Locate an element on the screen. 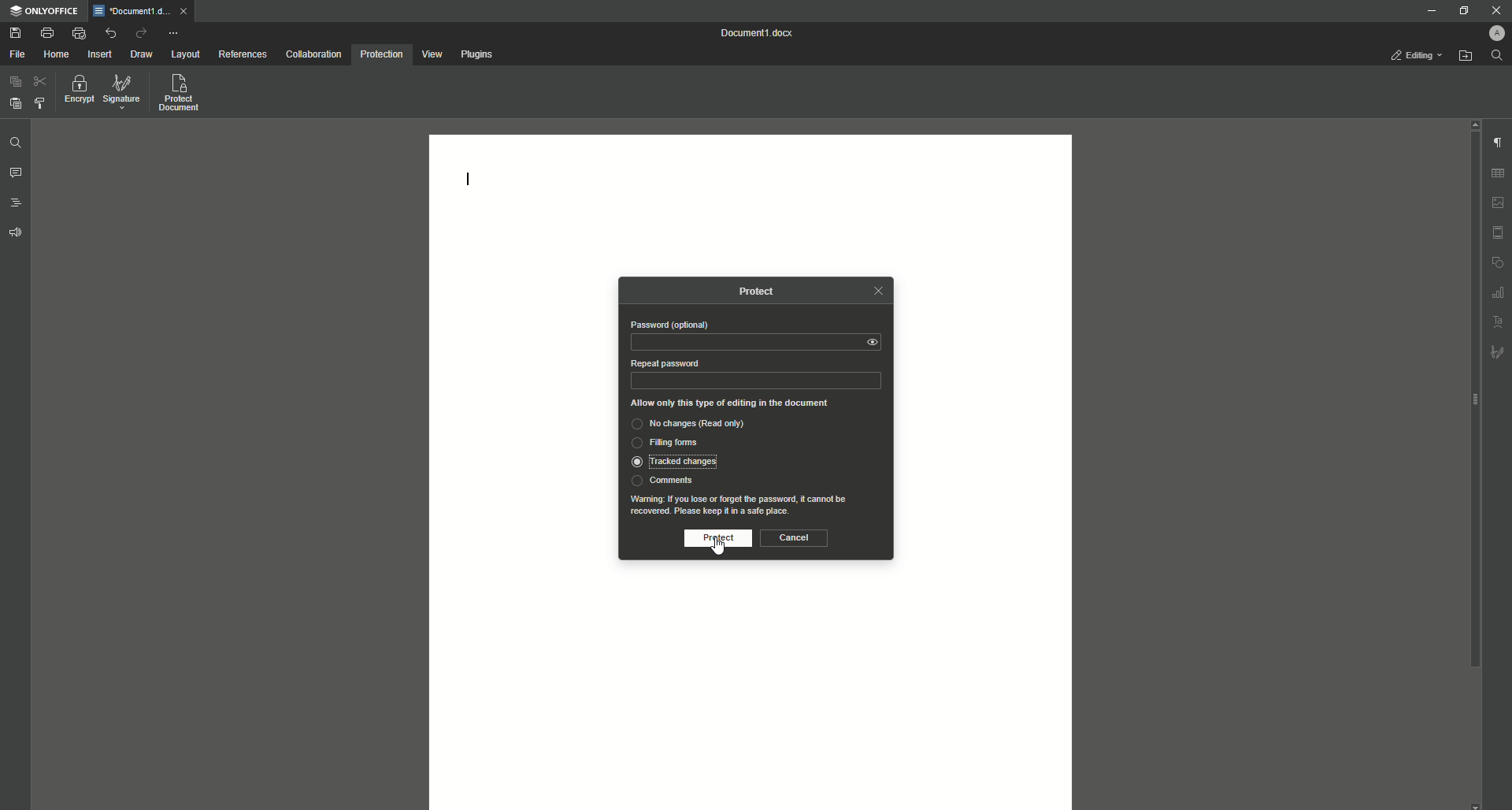 This screenshot has width=1512, height=810. Open From File is located at coordinates (1464, 56).